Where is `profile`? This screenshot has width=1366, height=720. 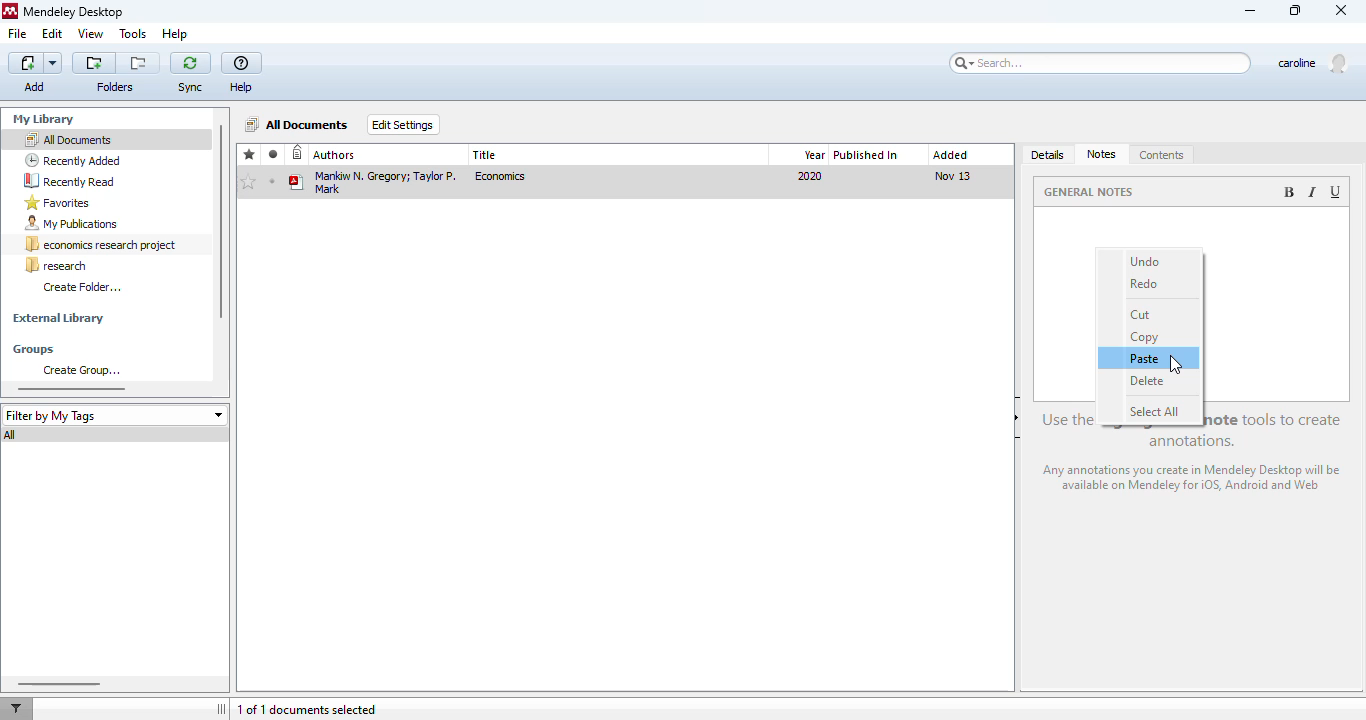
profile is located at coordinates (1312, 64).